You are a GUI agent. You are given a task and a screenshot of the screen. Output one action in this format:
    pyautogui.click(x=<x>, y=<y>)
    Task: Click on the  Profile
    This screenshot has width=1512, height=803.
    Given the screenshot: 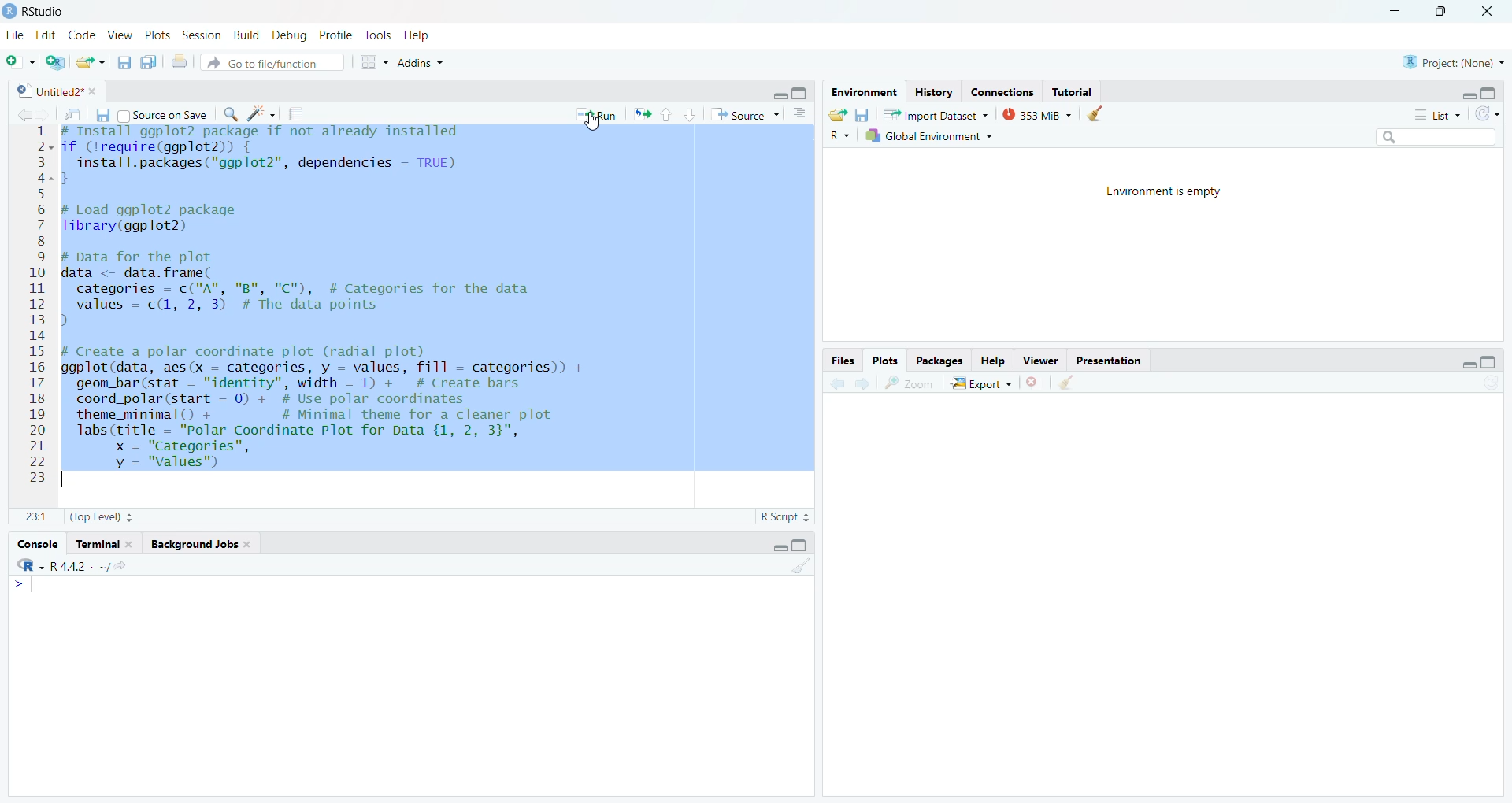 What is the action you would take?
    pyautogui.click(x=335, y=35)
    